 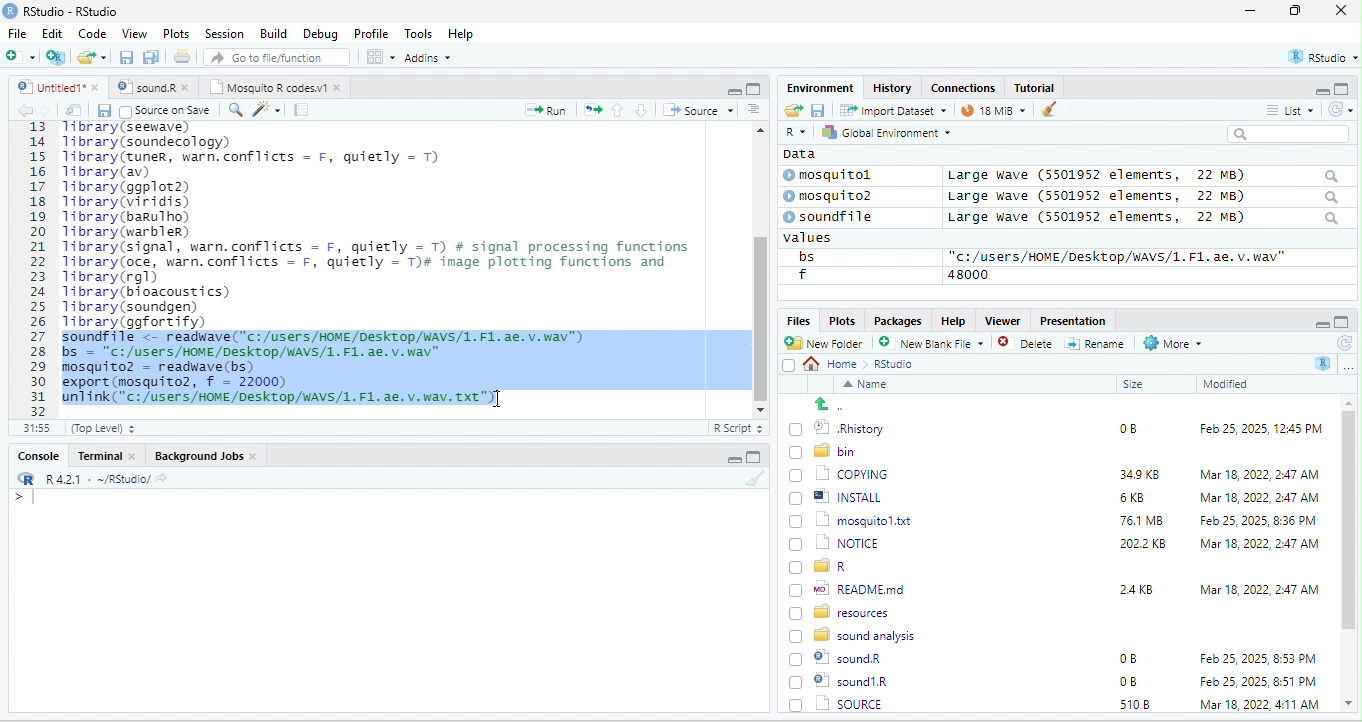 I want to click on maximize, so click(x=753, y=457).